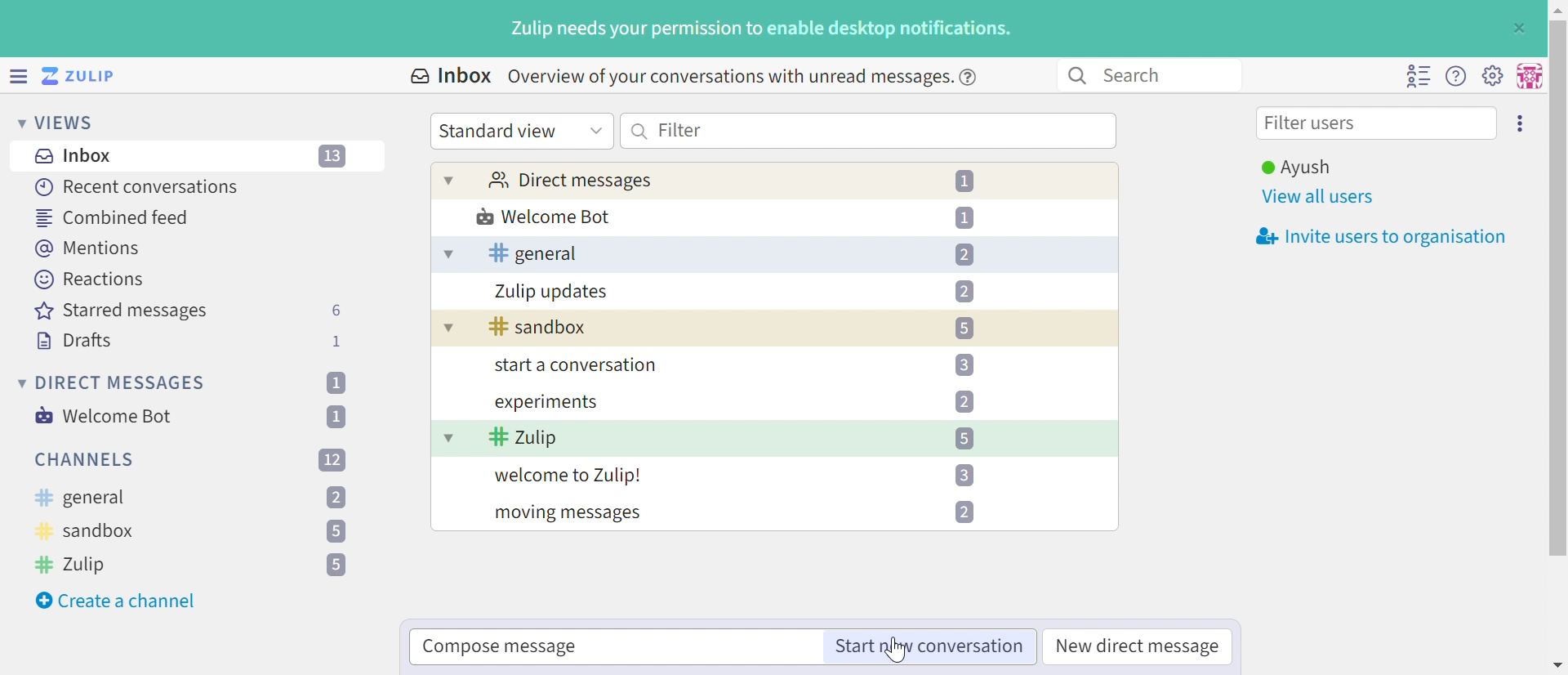 The image size is (1568, 675). I want to click on Zulip, so click(74, 564).